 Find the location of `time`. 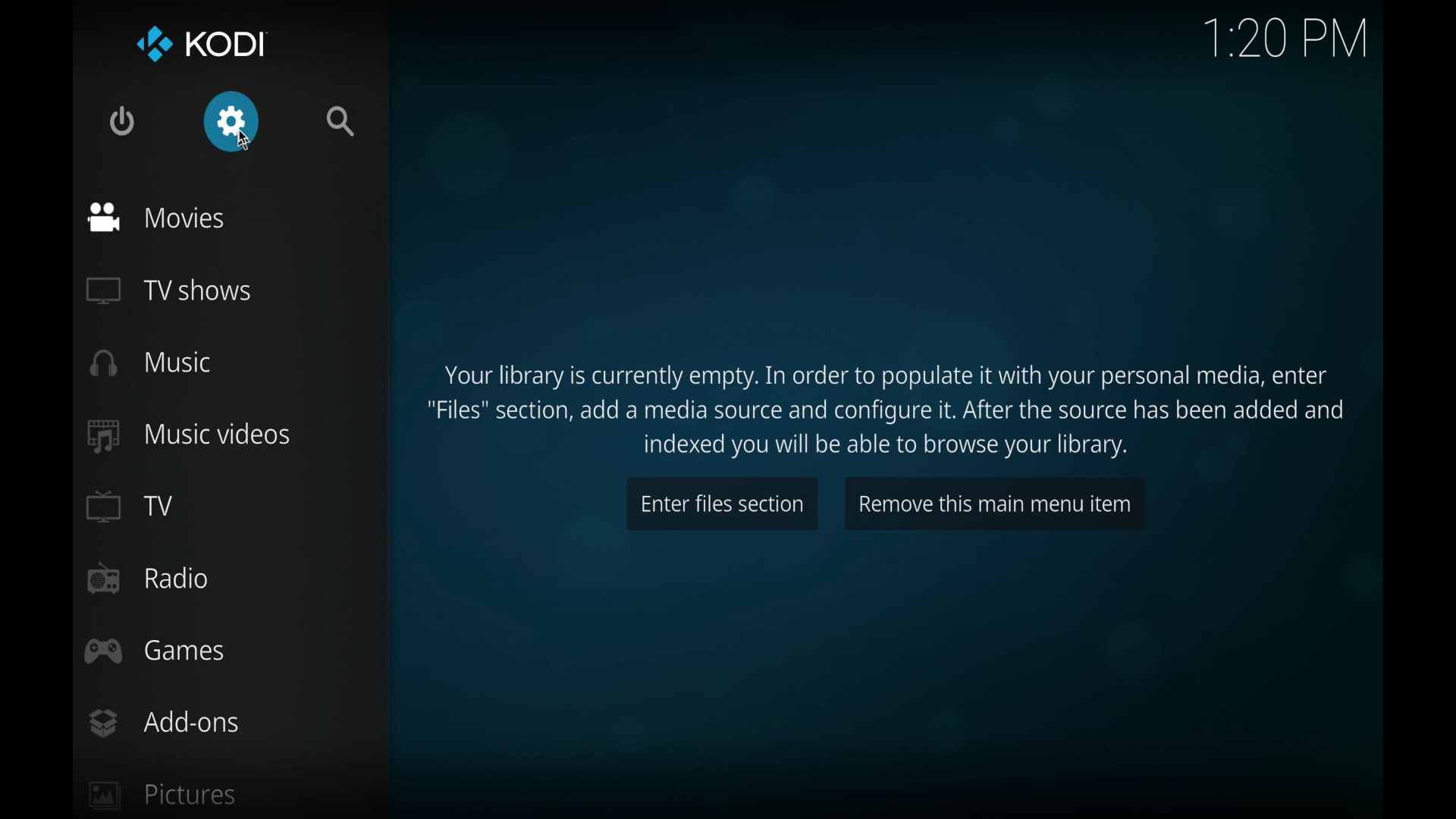

time is located at coordinates (1286, 39).